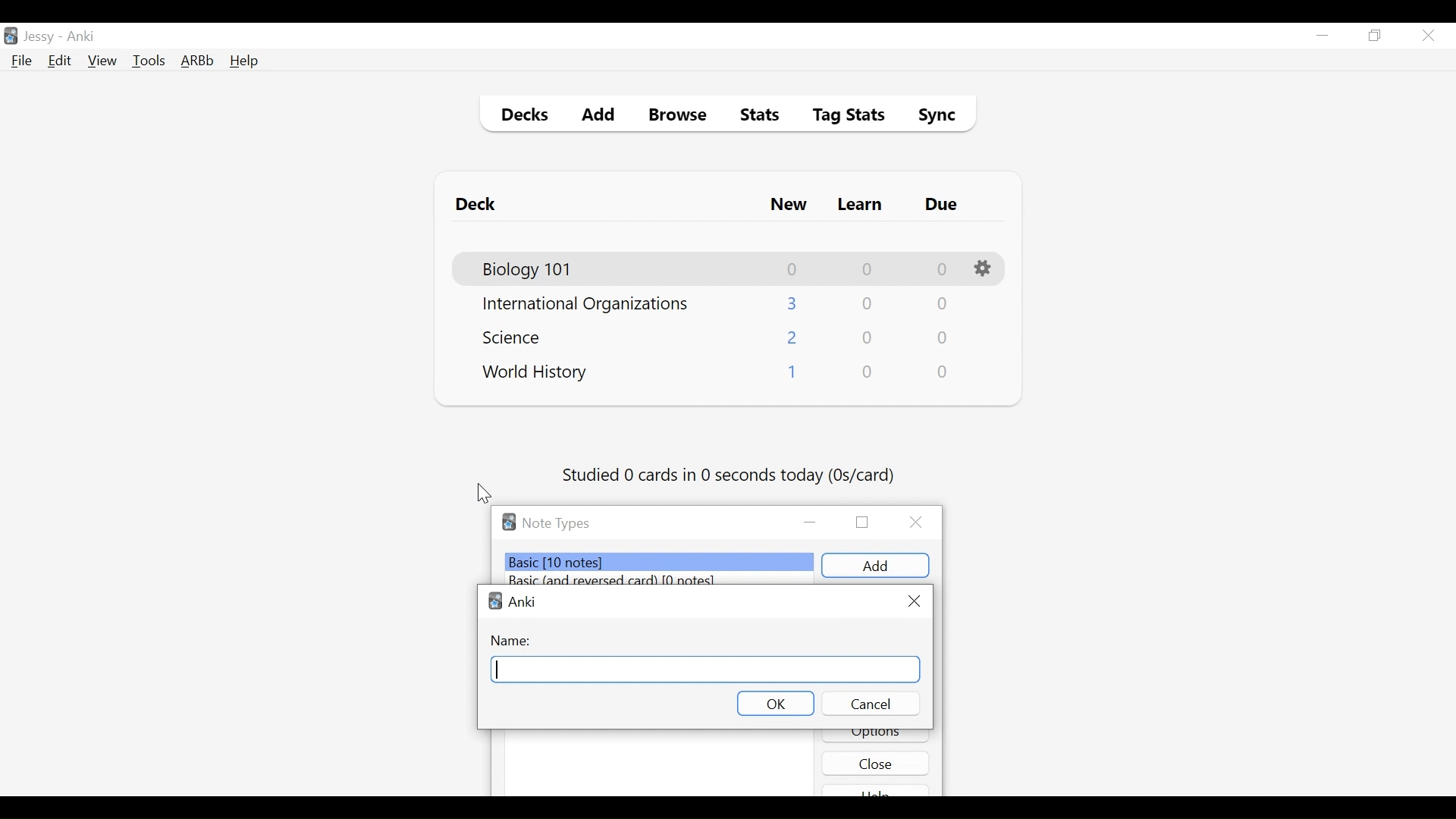  What do you see at coordinates (661, 562) in the screenshot?
I see `Basic (number of notes)` at bounding box center [661, 562].